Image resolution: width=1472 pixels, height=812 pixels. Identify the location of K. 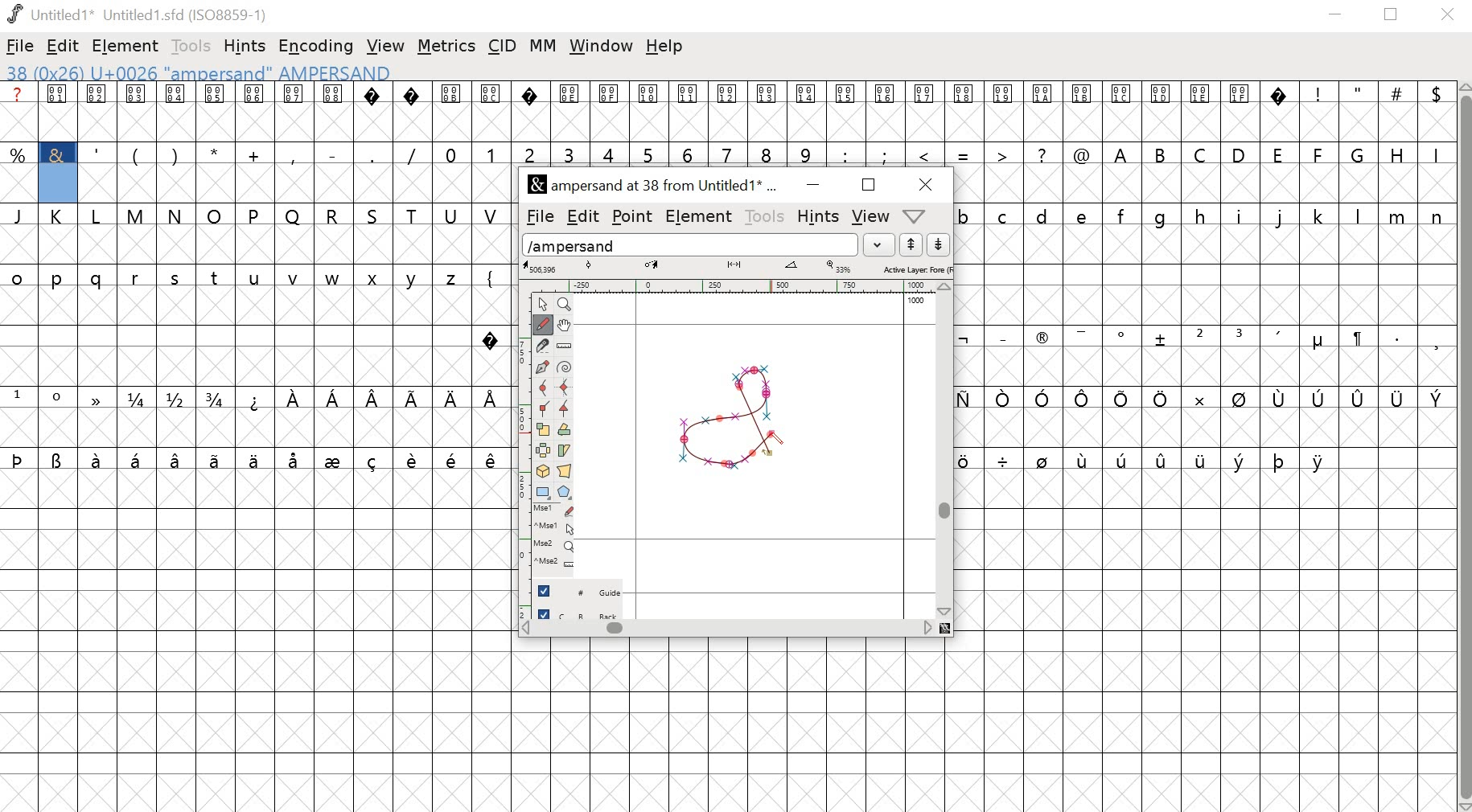
(60, 217).